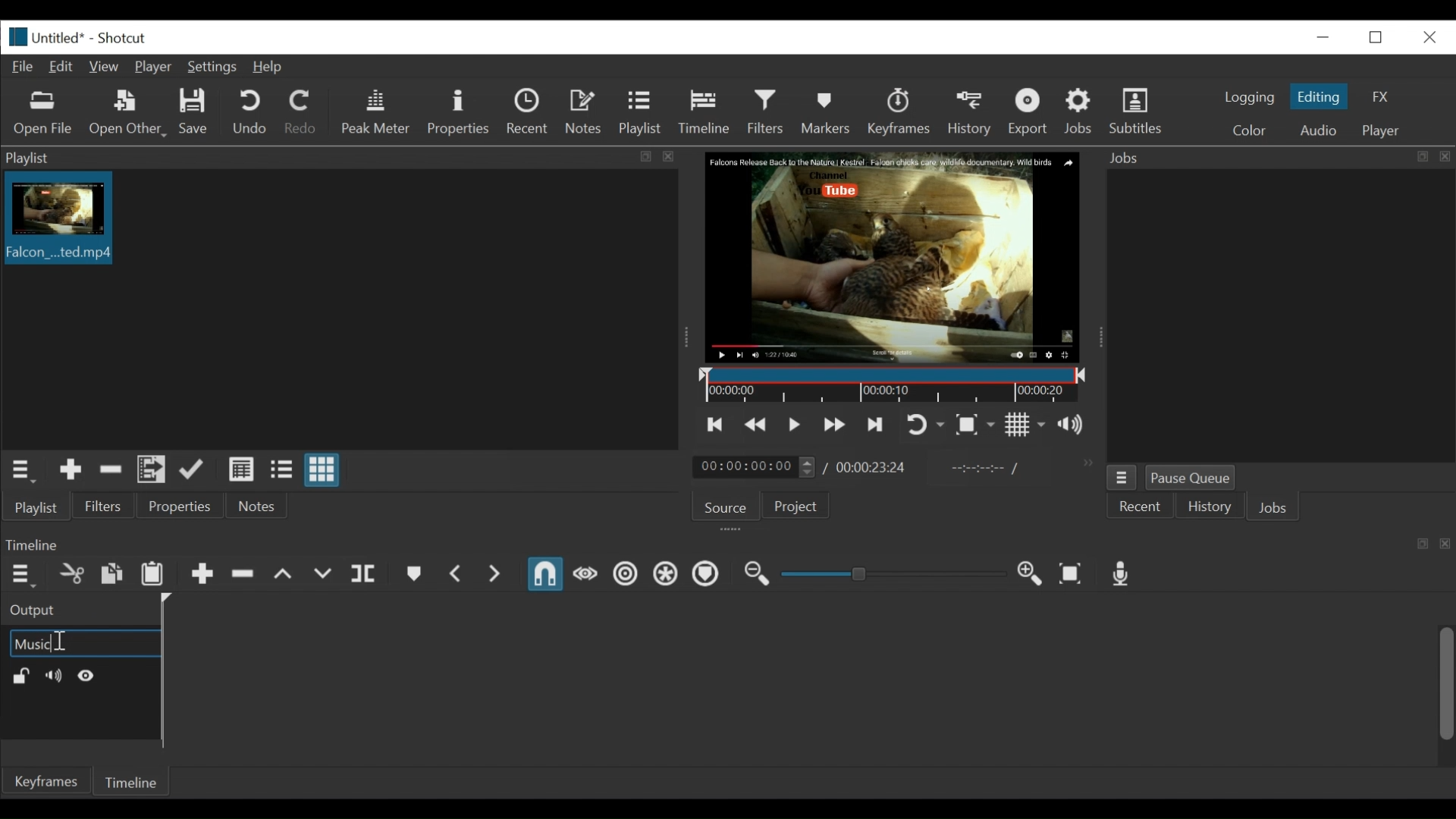  I want to click on Next Marker, so click(495, 575).